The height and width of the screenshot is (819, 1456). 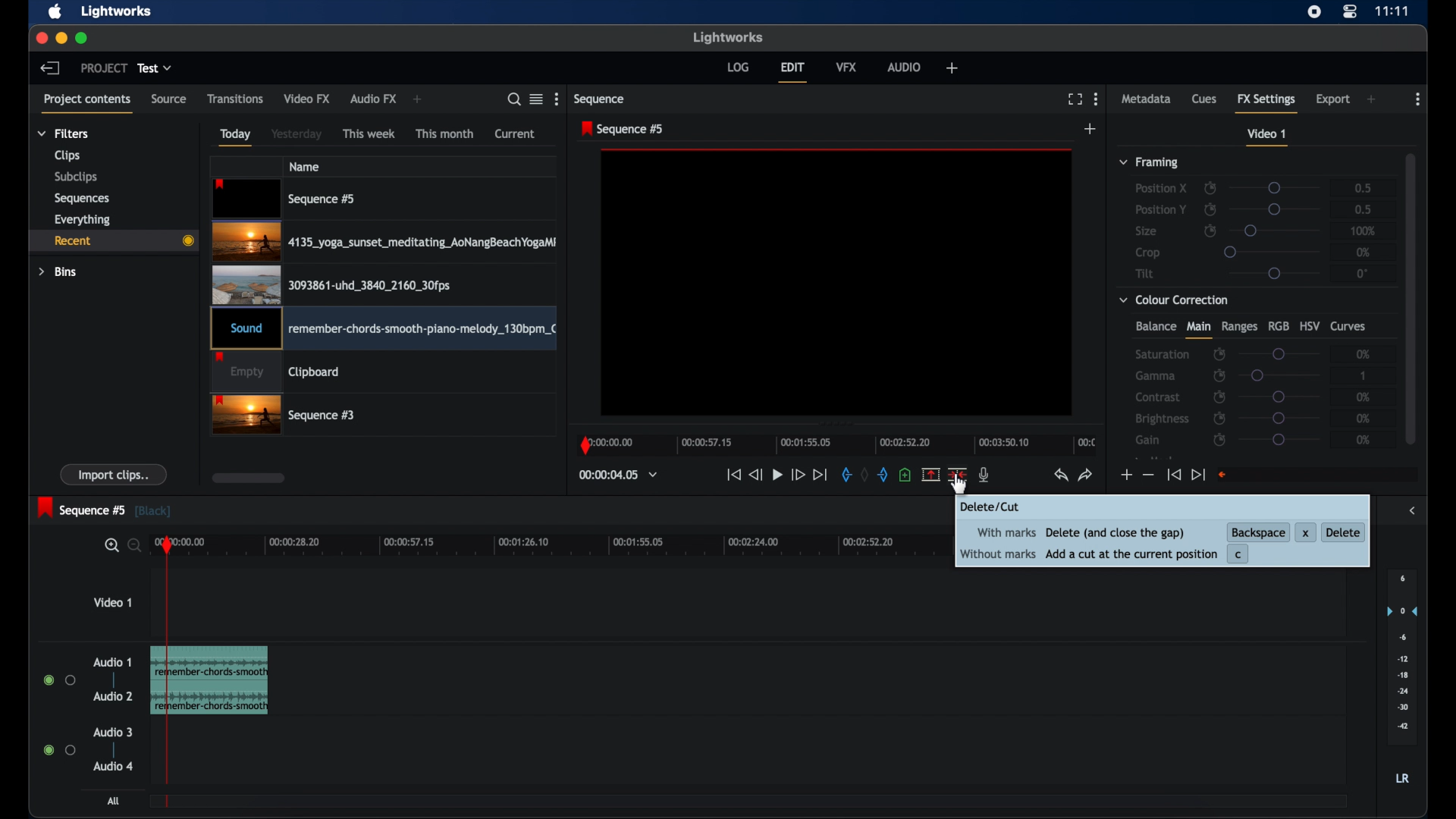 What do you see at coordinates (1314, 12) in the screenshot?
I see `screen recorder icon` at bounding box center [1314, 12].